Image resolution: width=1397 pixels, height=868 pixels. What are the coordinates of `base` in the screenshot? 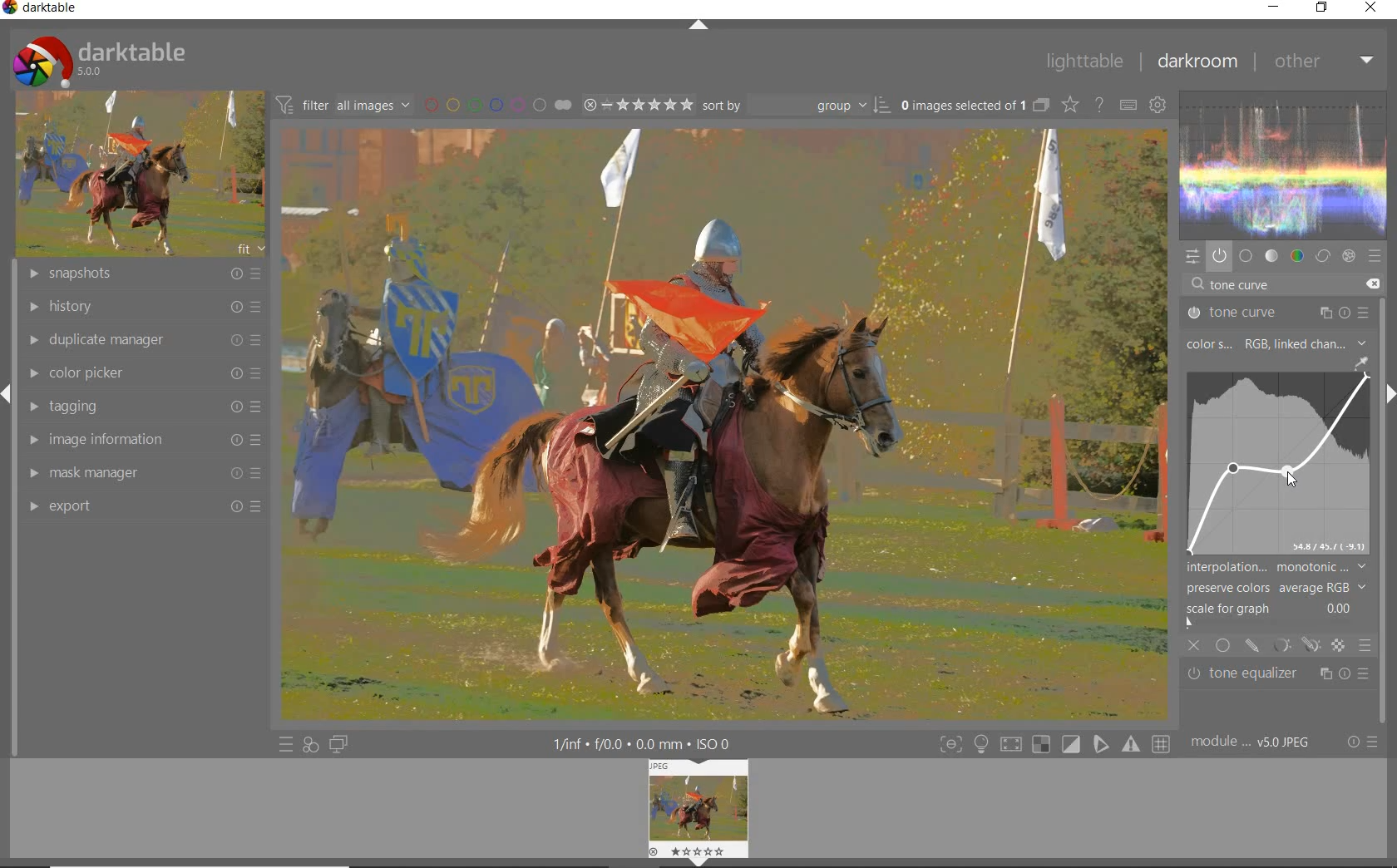 It's located at (1246, 257).